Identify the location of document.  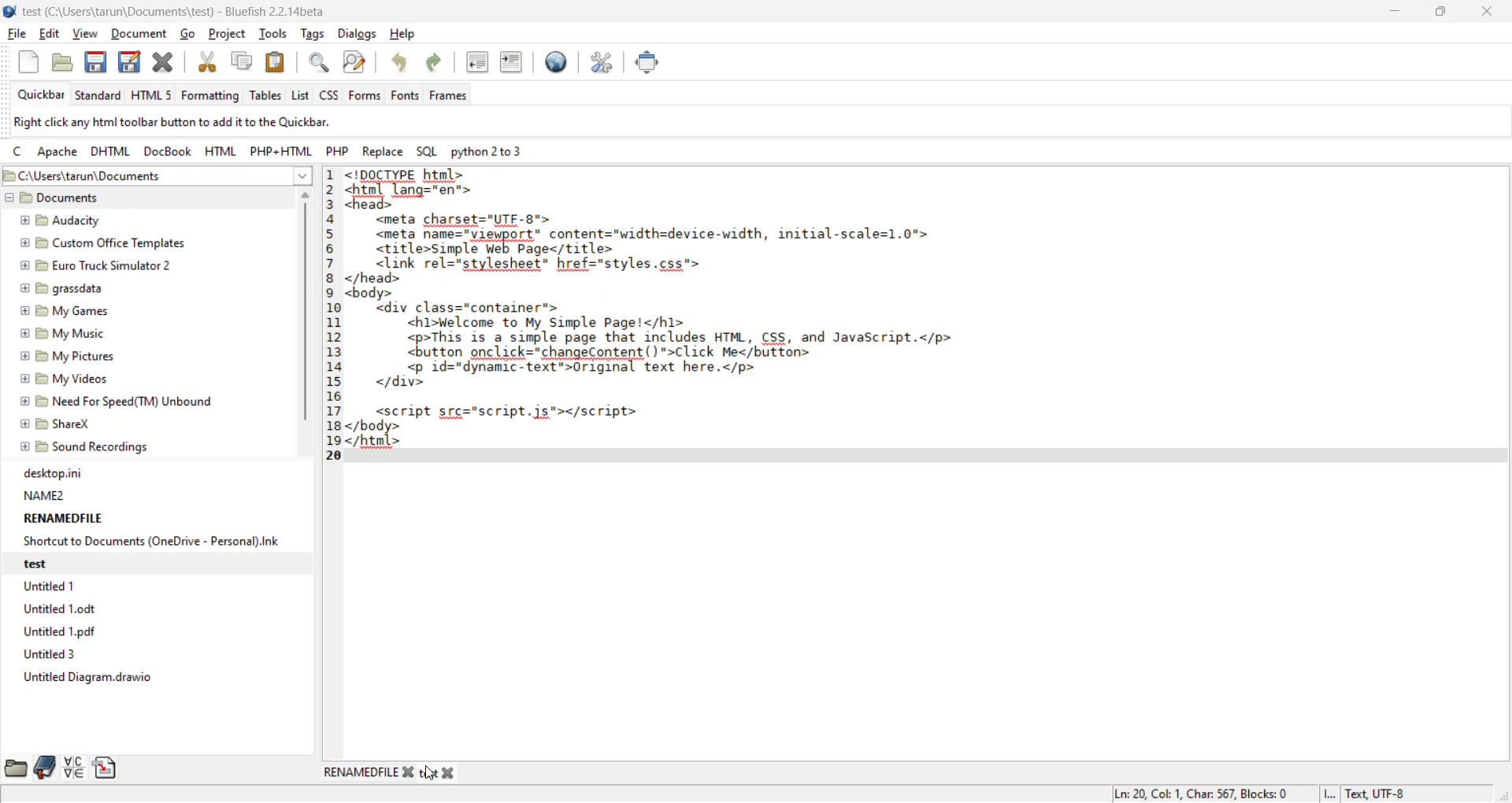
(143, 33).